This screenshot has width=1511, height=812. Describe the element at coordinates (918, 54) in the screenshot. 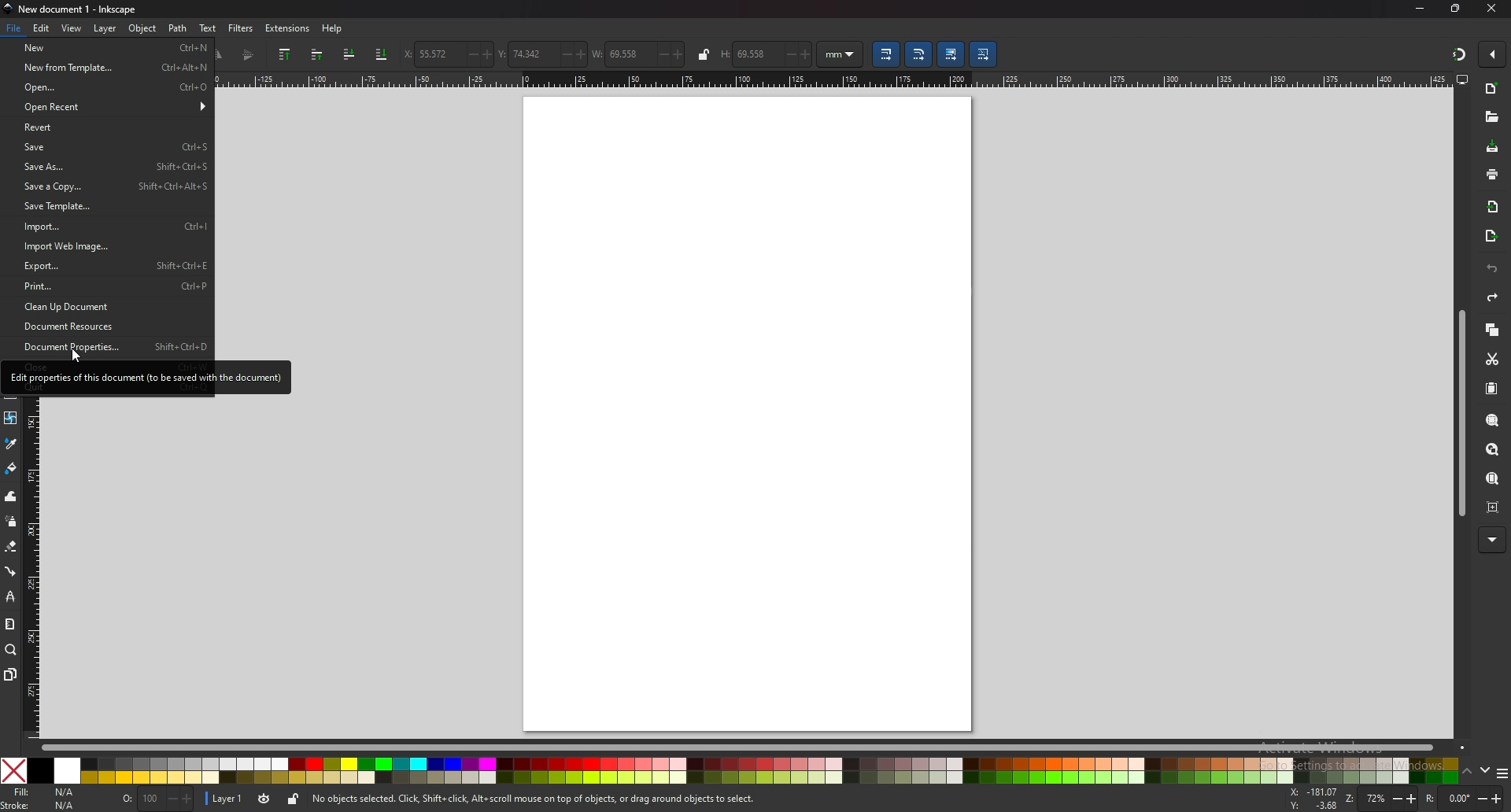

I see `scale radii` at that location.